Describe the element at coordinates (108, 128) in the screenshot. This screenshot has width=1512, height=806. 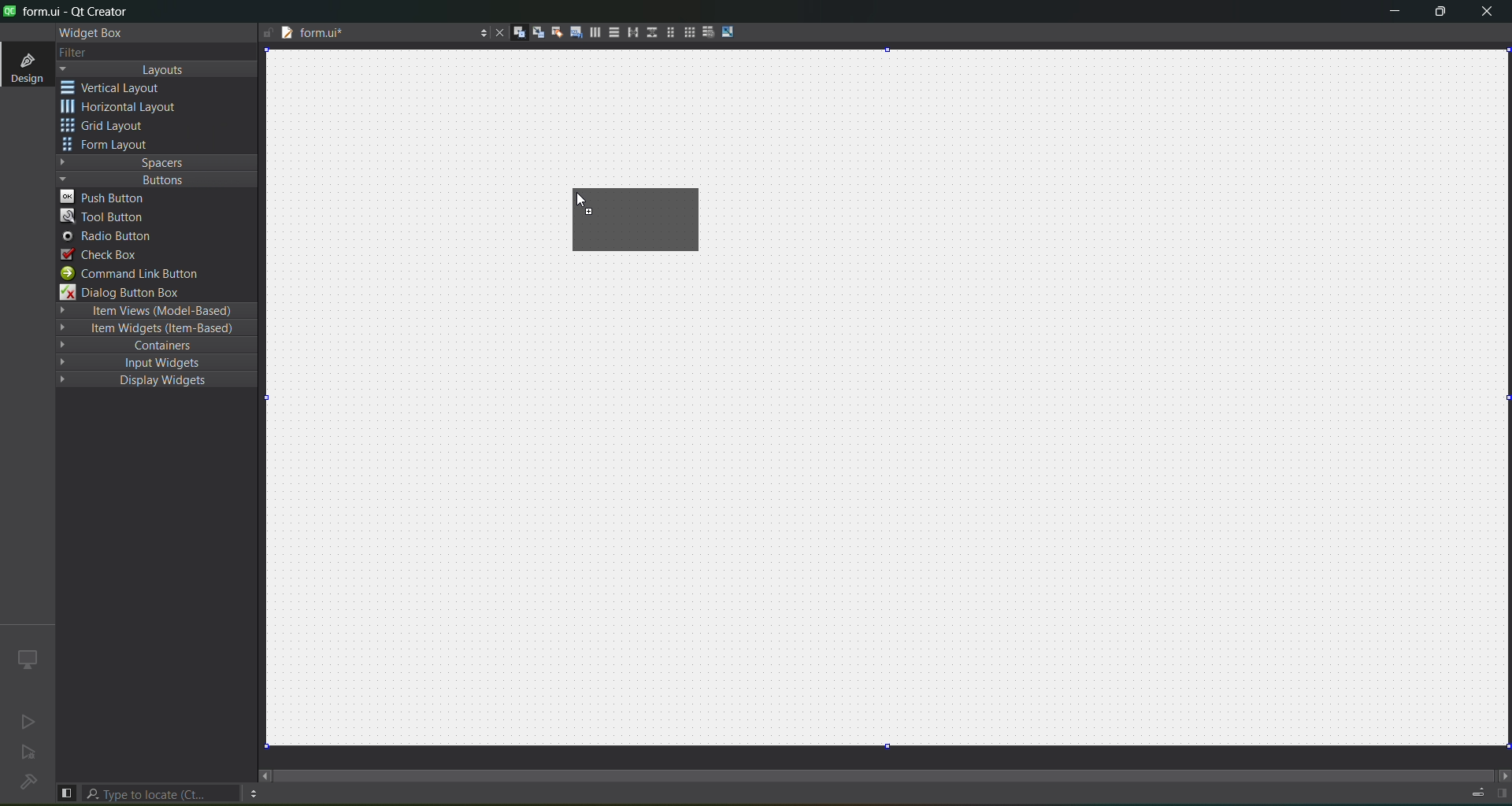
I see `grid layout` at that location.